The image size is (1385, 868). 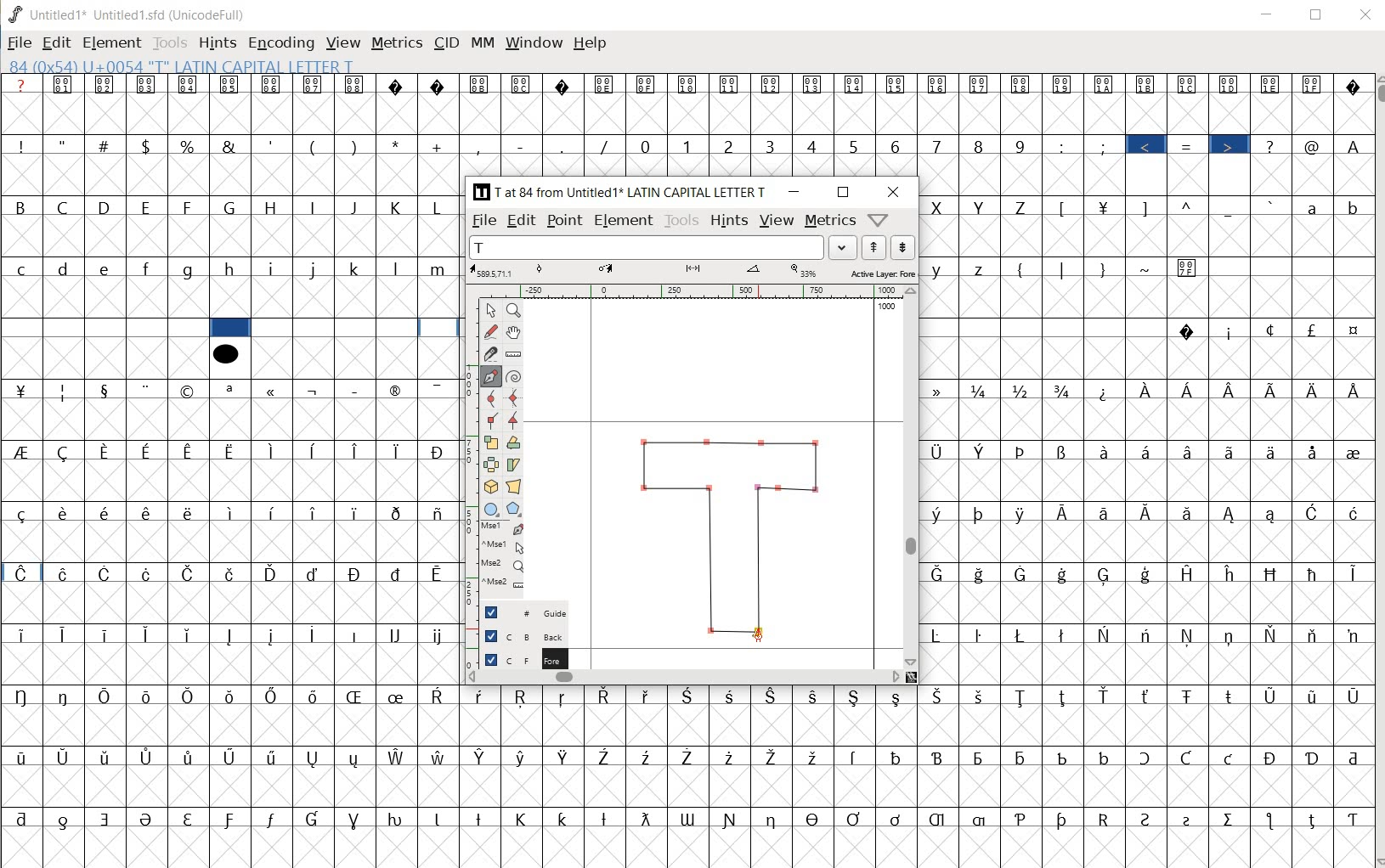 I want to click on Symbol, so click(x=147, y=634).